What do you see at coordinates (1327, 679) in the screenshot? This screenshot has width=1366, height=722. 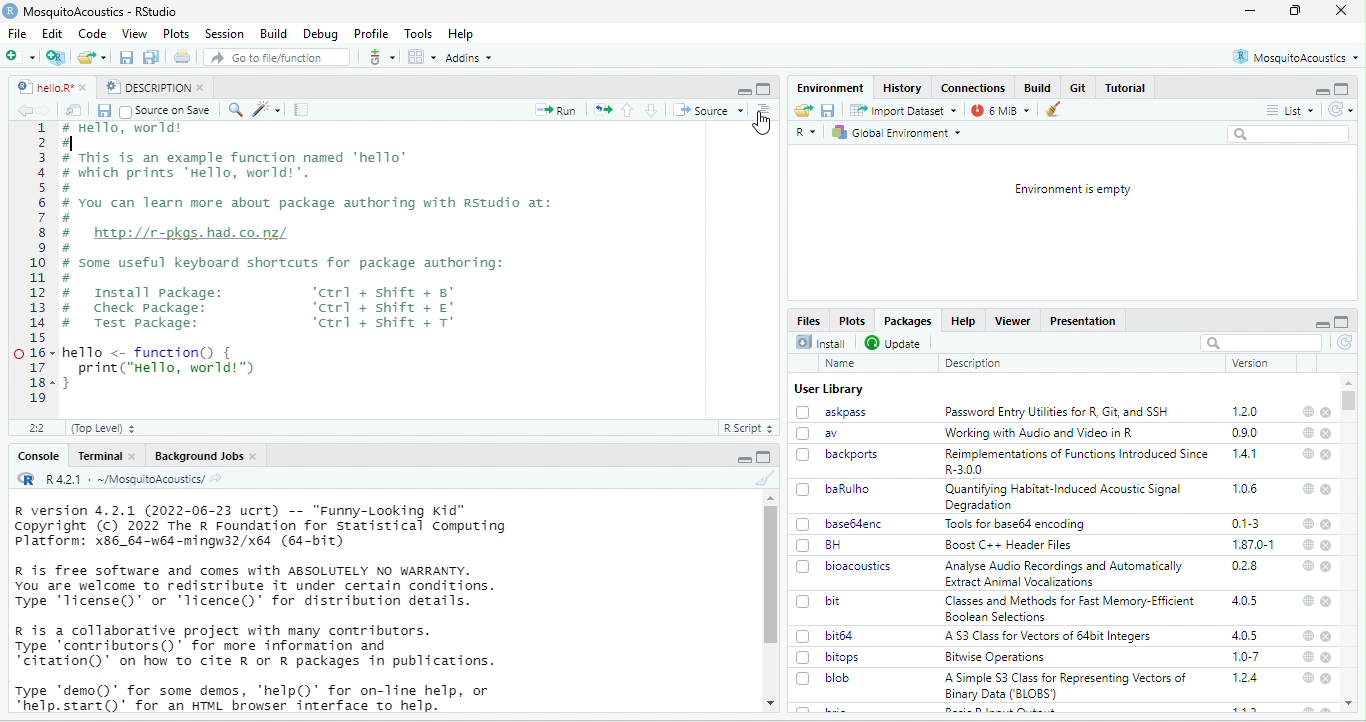 I see `close` at bounding box center [1327, 679].